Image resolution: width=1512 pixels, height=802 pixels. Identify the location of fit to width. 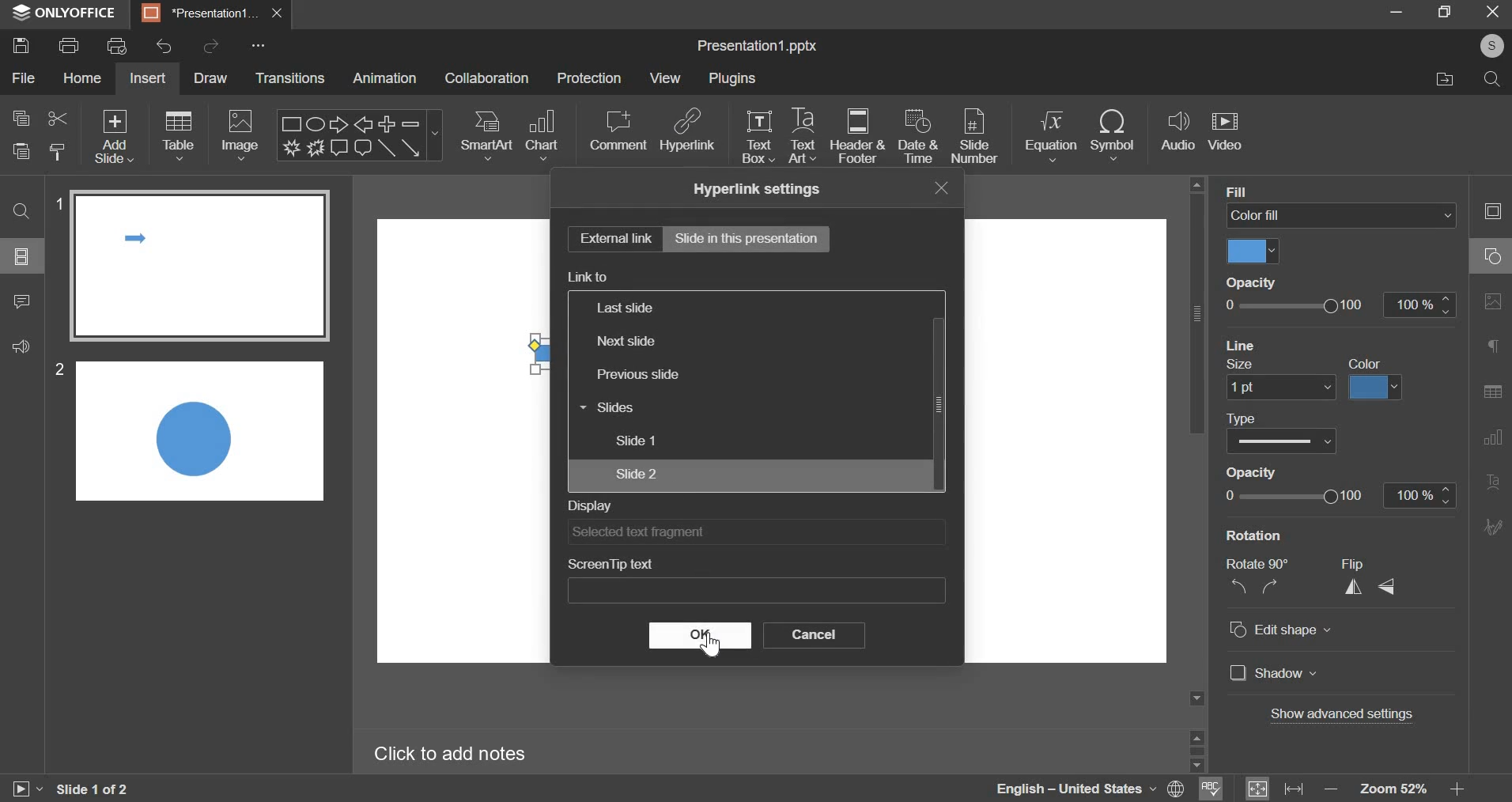
(1295, 789).